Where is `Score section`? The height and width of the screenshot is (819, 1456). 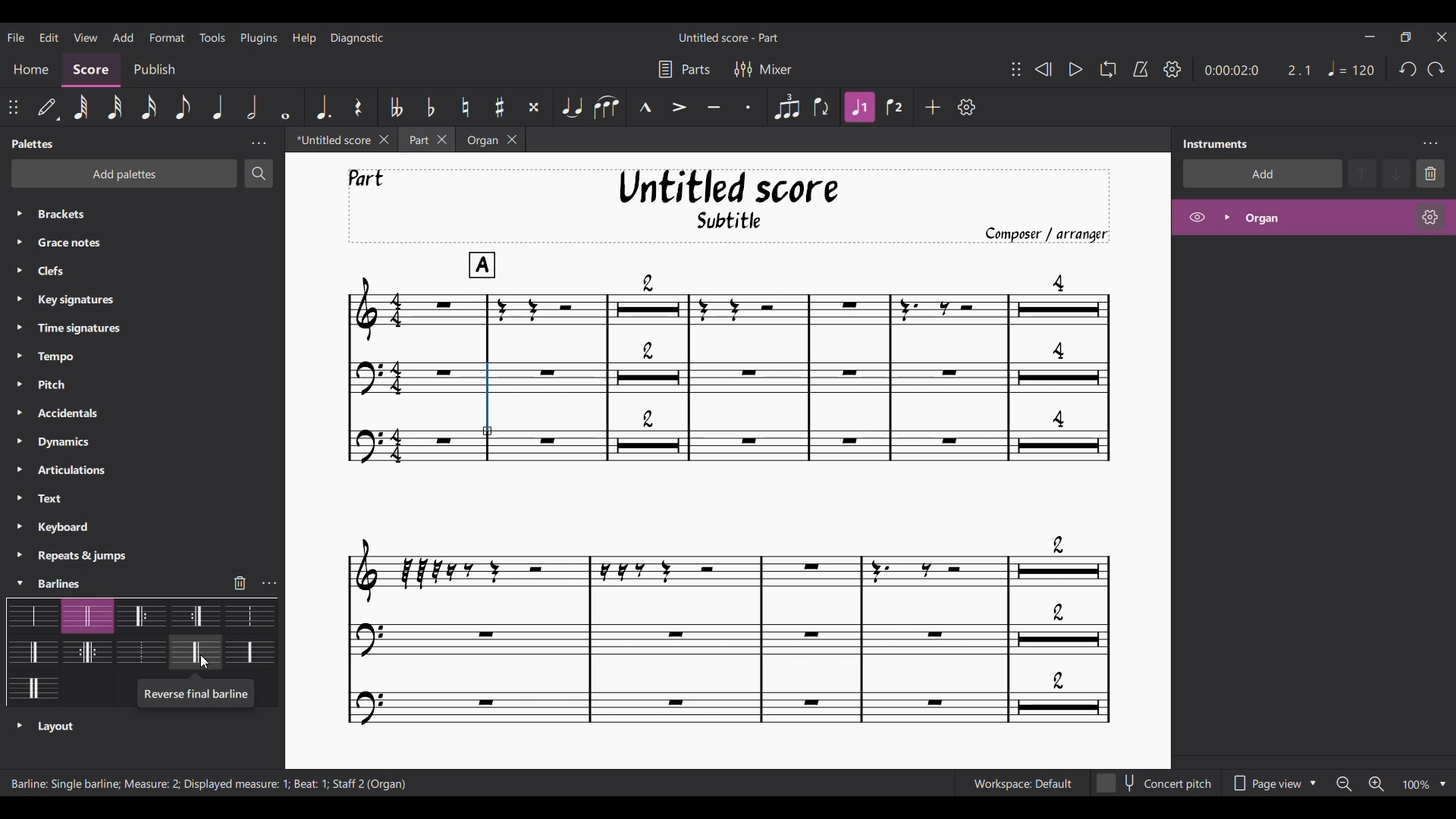 Score section is located at coordinates (90, 71).